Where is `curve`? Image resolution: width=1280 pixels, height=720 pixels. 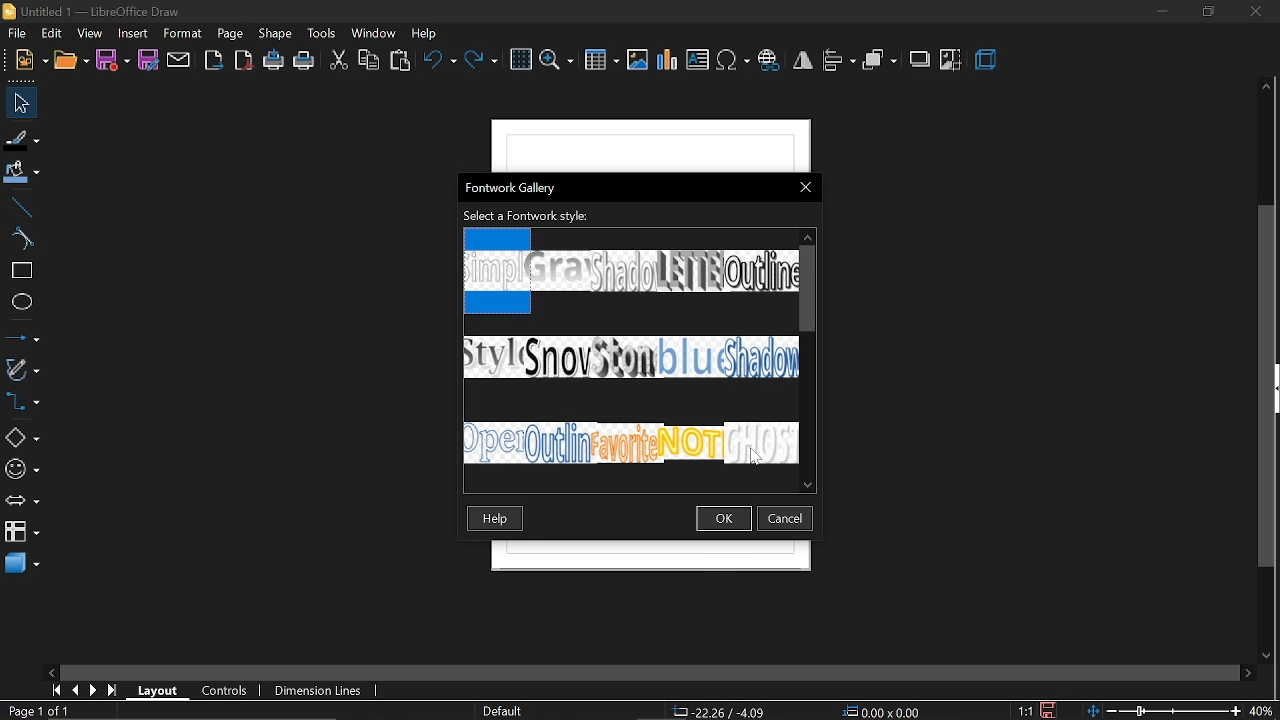
curve is located at coordinates (18, 240).